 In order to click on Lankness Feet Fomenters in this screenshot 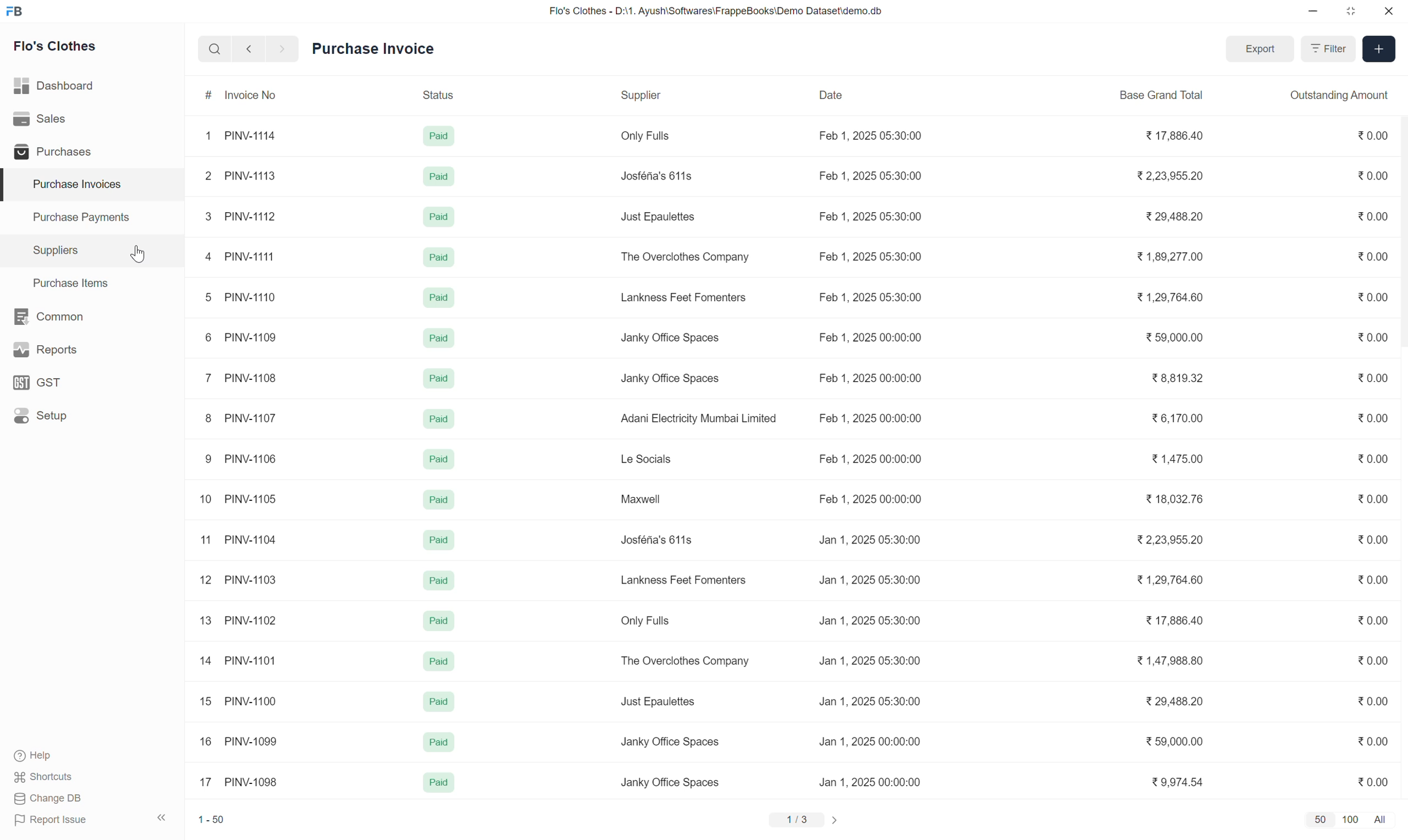, I will do `click(683, 297)`.